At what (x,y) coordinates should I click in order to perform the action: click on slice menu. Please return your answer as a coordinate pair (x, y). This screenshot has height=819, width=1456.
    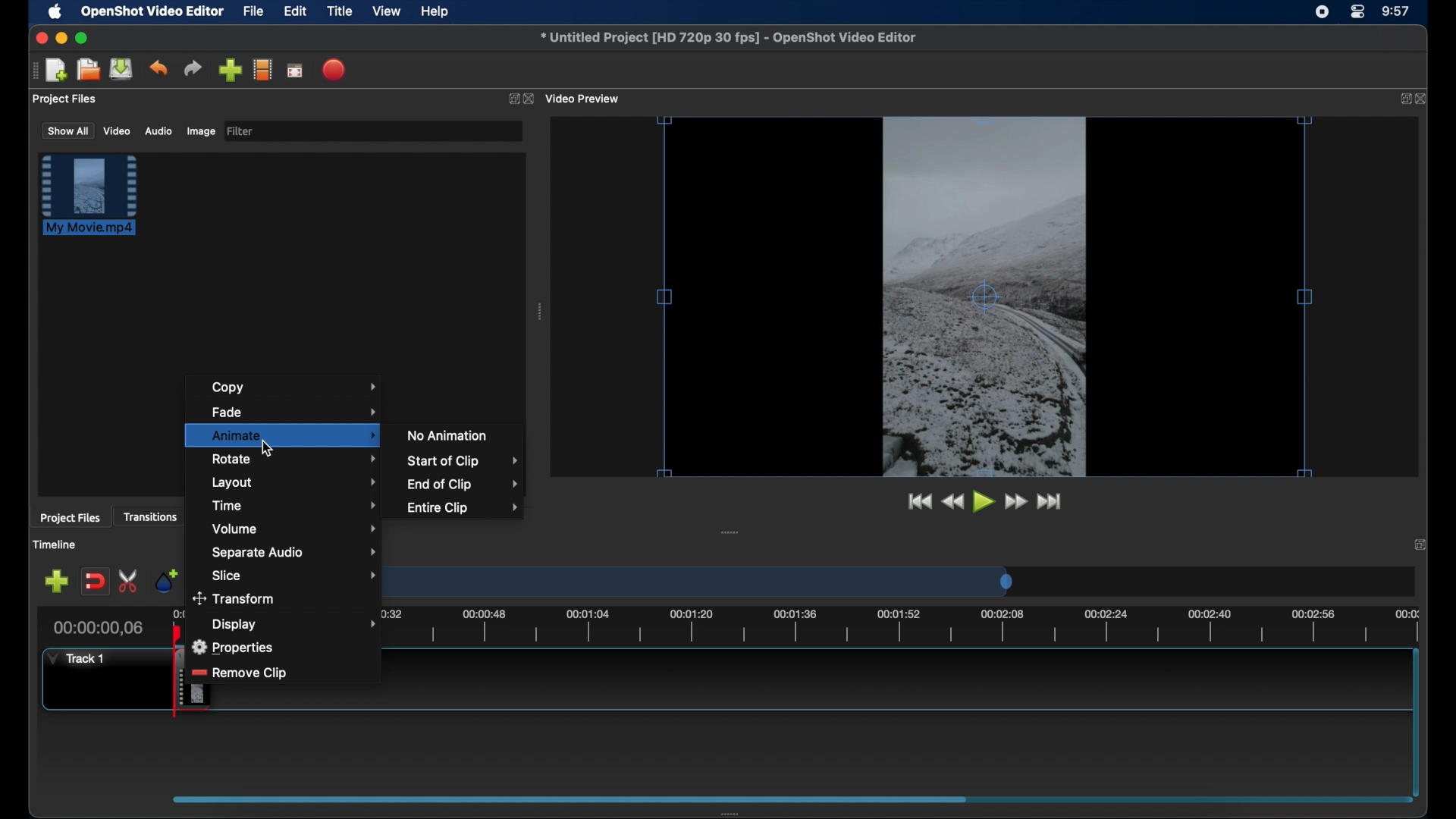
    Looking at the image, I should click on (294, 576).